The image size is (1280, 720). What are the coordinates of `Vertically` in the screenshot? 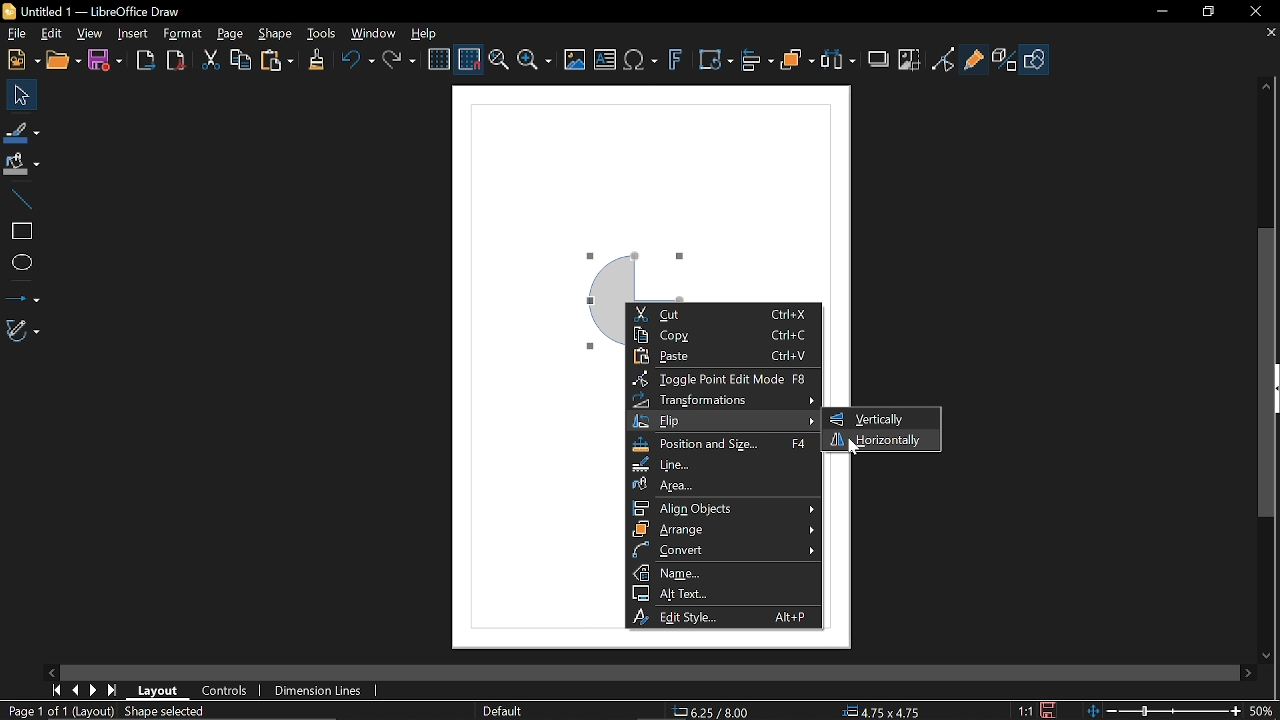 It's located at (870, 419).